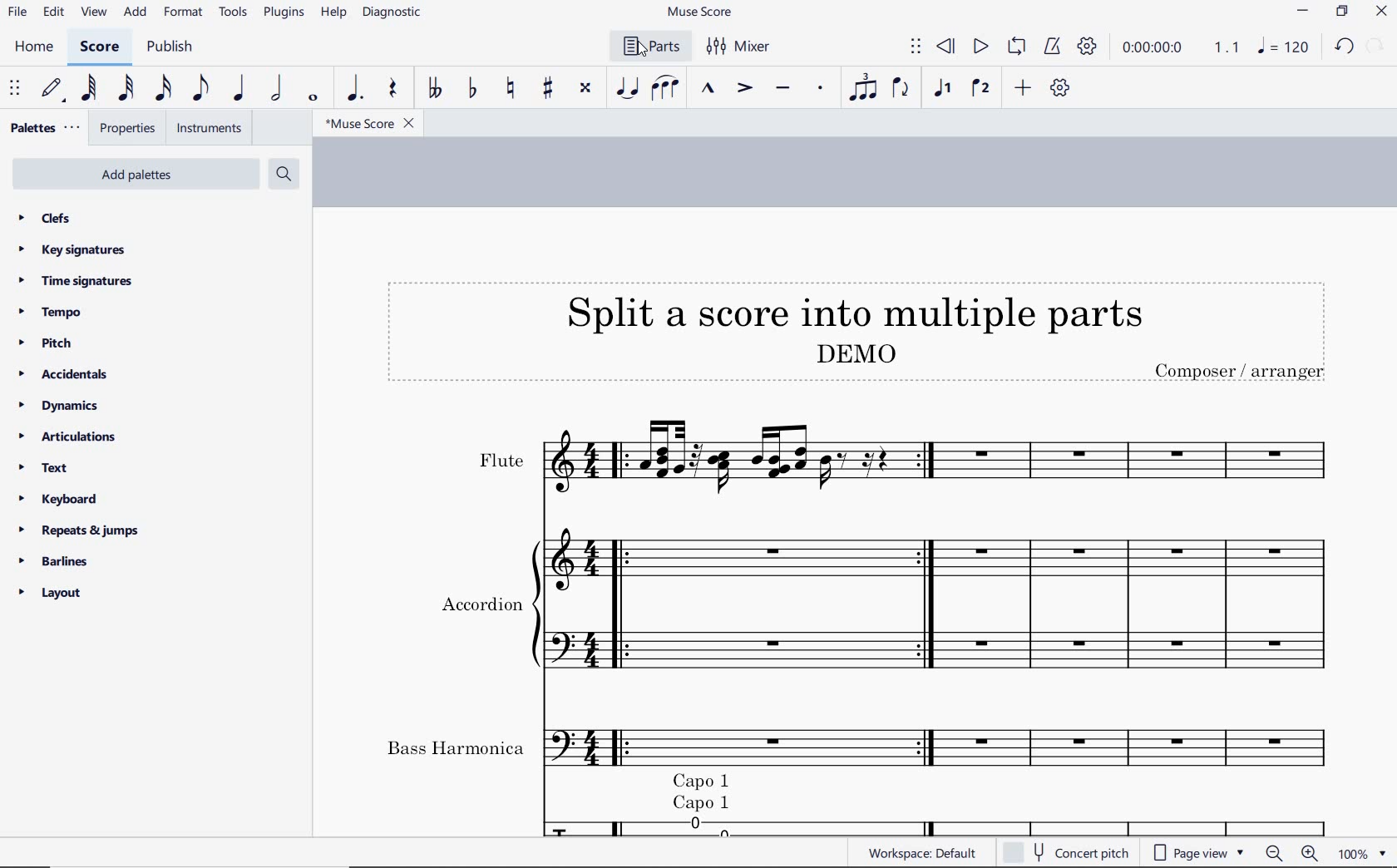 This screenshot has height=868, width=1397. I want to click on select to move, so click(13, 87).